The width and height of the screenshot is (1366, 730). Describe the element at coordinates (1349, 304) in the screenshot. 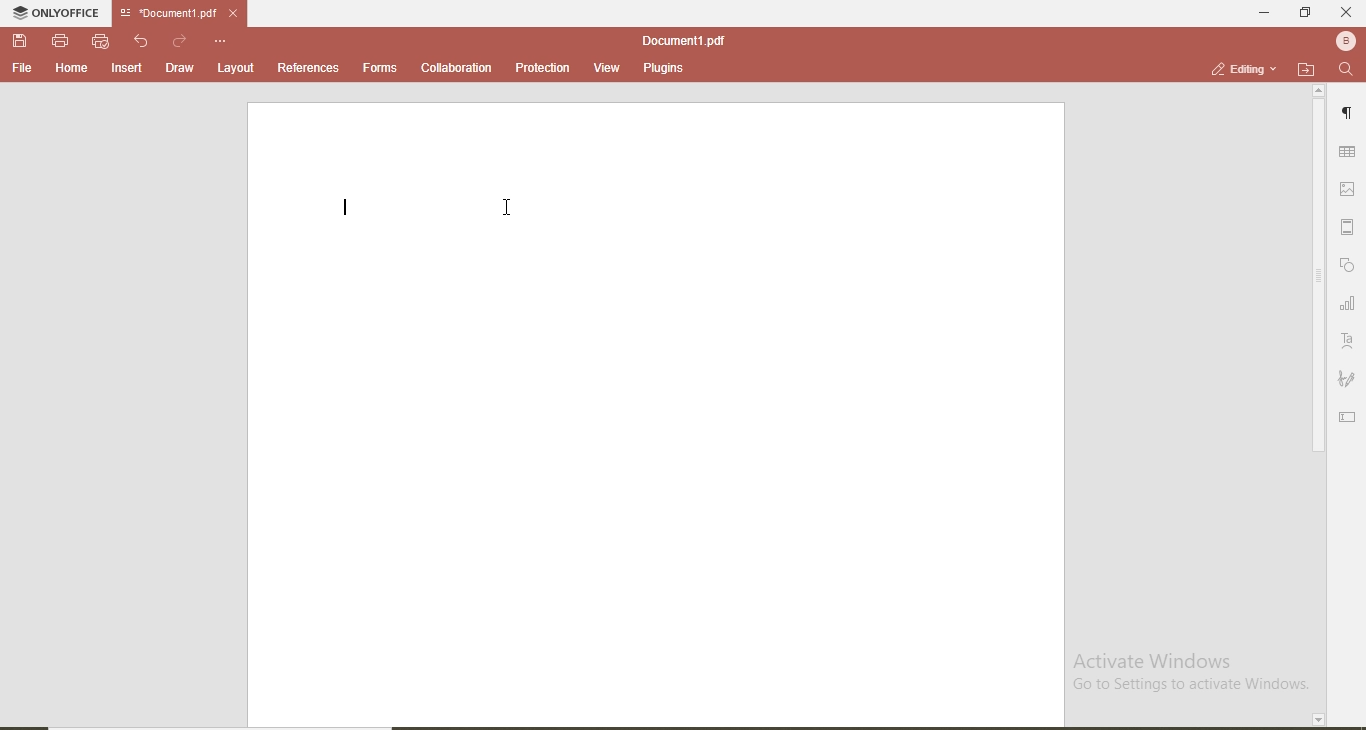

I see `chart` at that location.